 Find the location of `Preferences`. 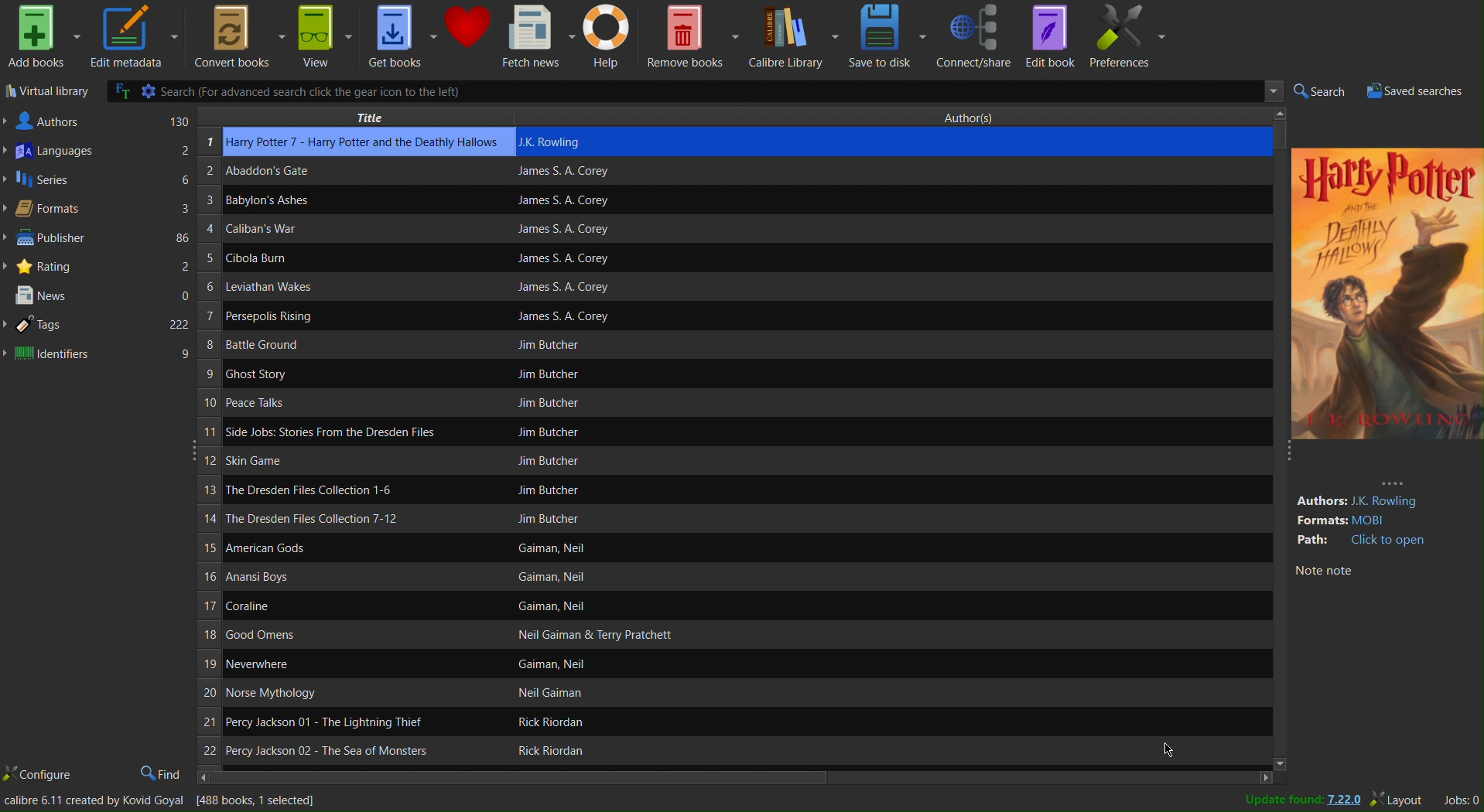

Preferences is located at coordinates (1130, 37).